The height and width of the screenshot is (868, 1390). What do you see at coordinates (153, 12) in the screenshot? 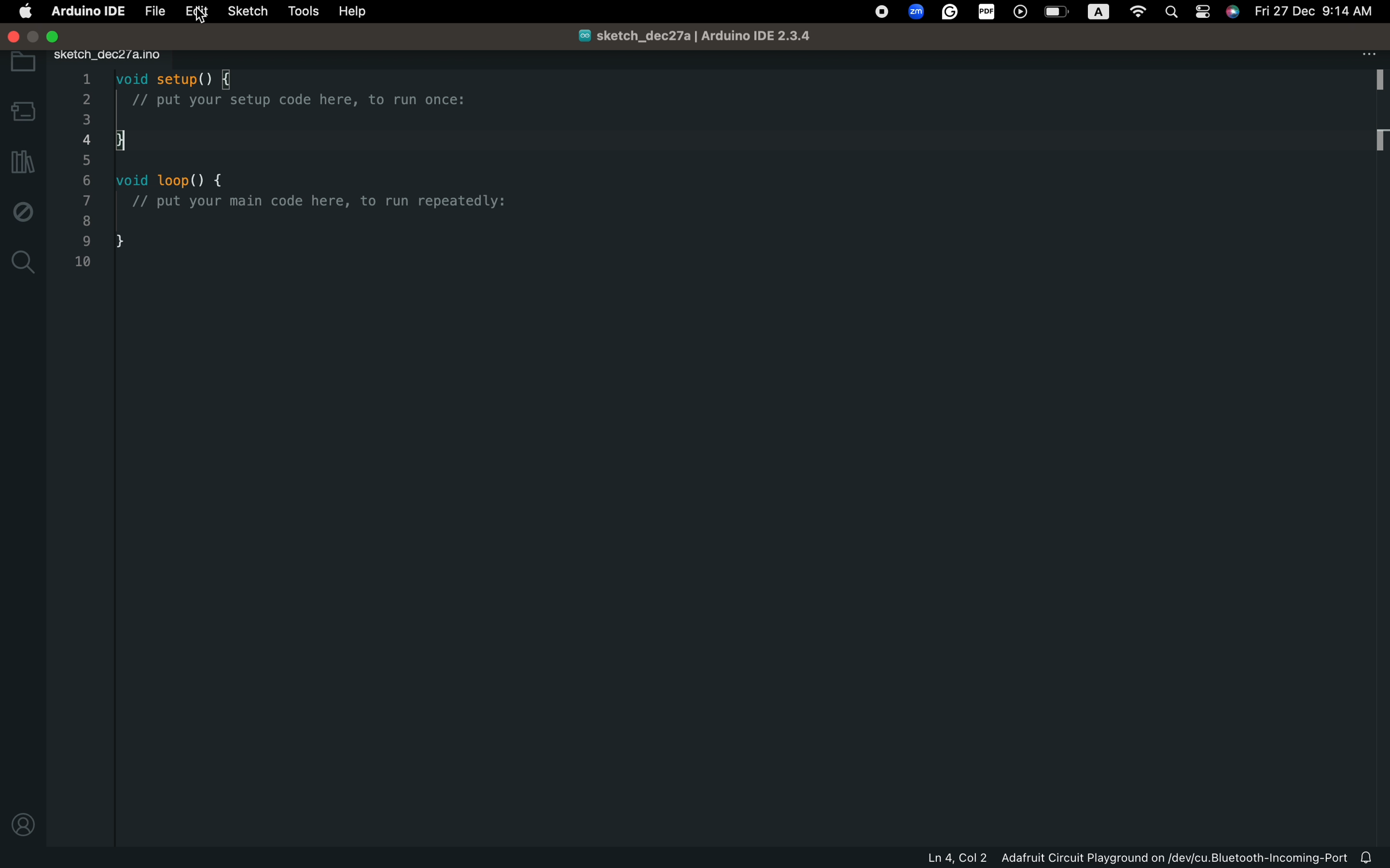
I see `file` at bounding box center [153, 12].